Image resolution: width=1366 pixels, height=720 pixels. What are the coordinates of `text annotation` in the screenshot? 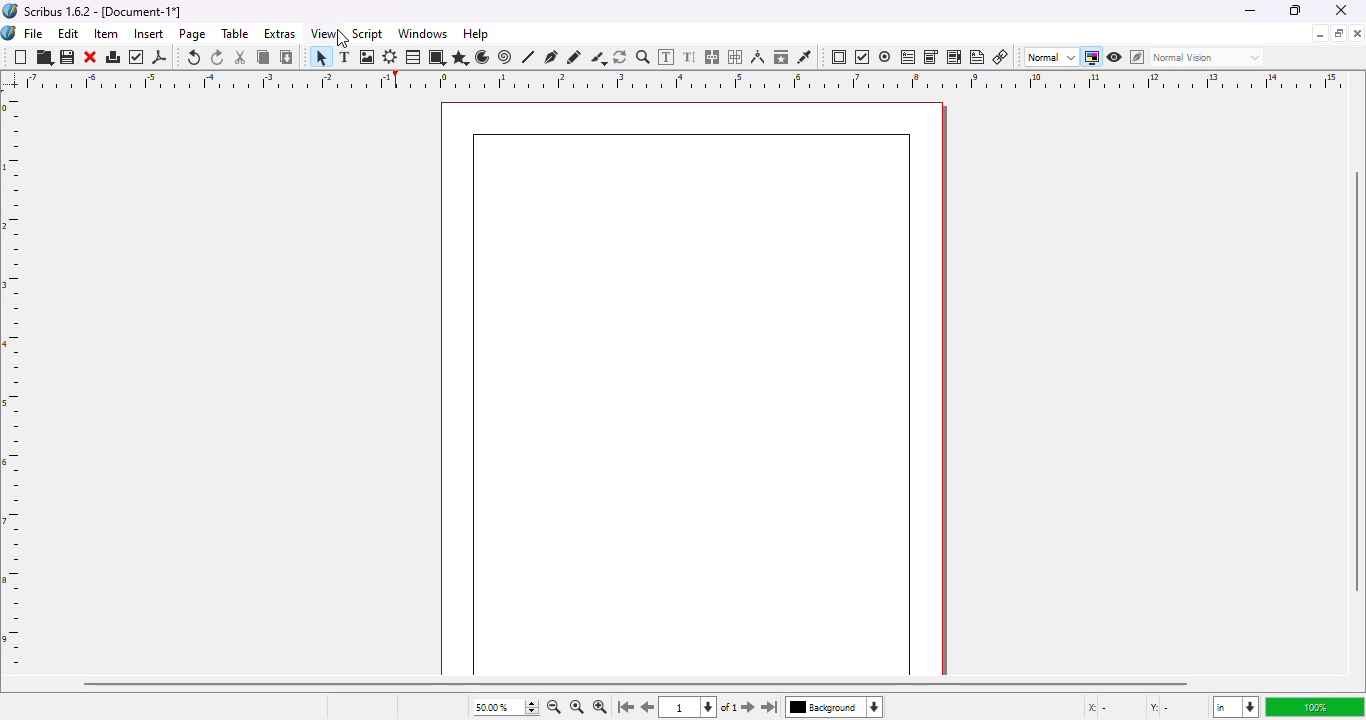 It's located at (978, 57).